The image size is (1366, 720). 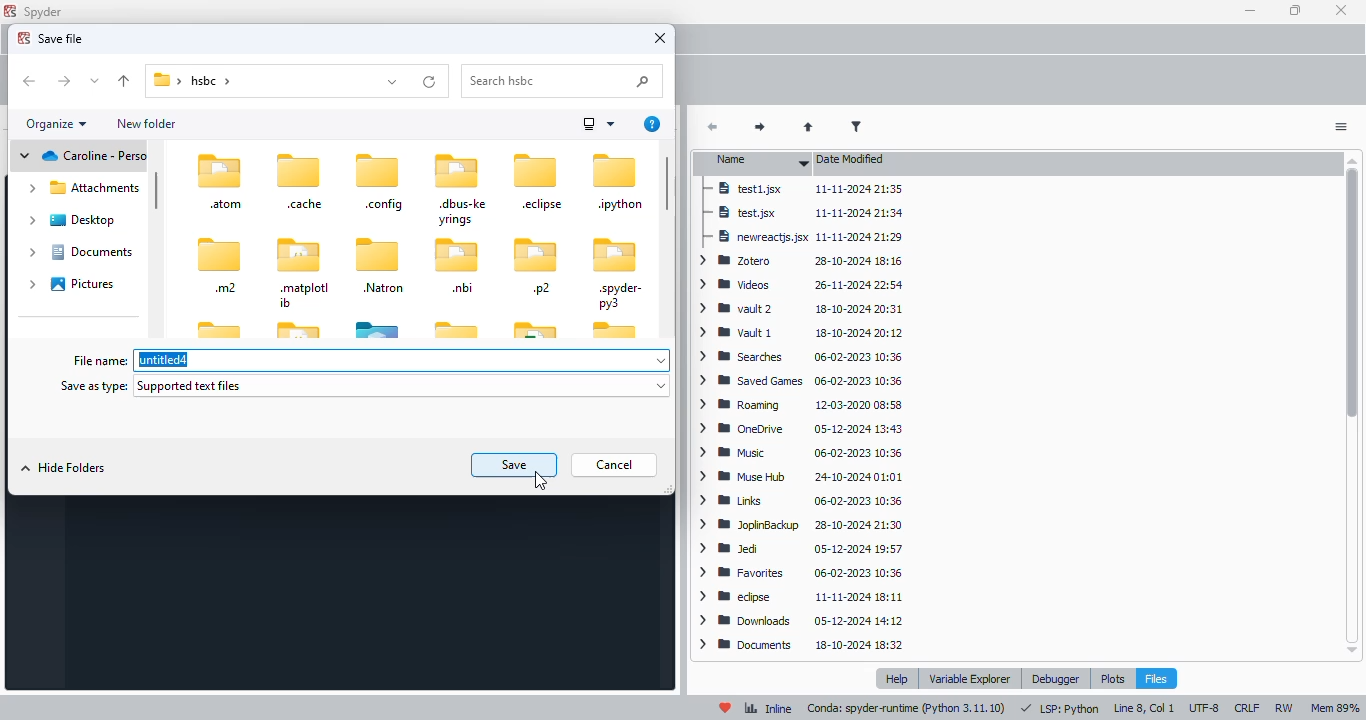 I want to click on searches, so click(x=742, y=357).